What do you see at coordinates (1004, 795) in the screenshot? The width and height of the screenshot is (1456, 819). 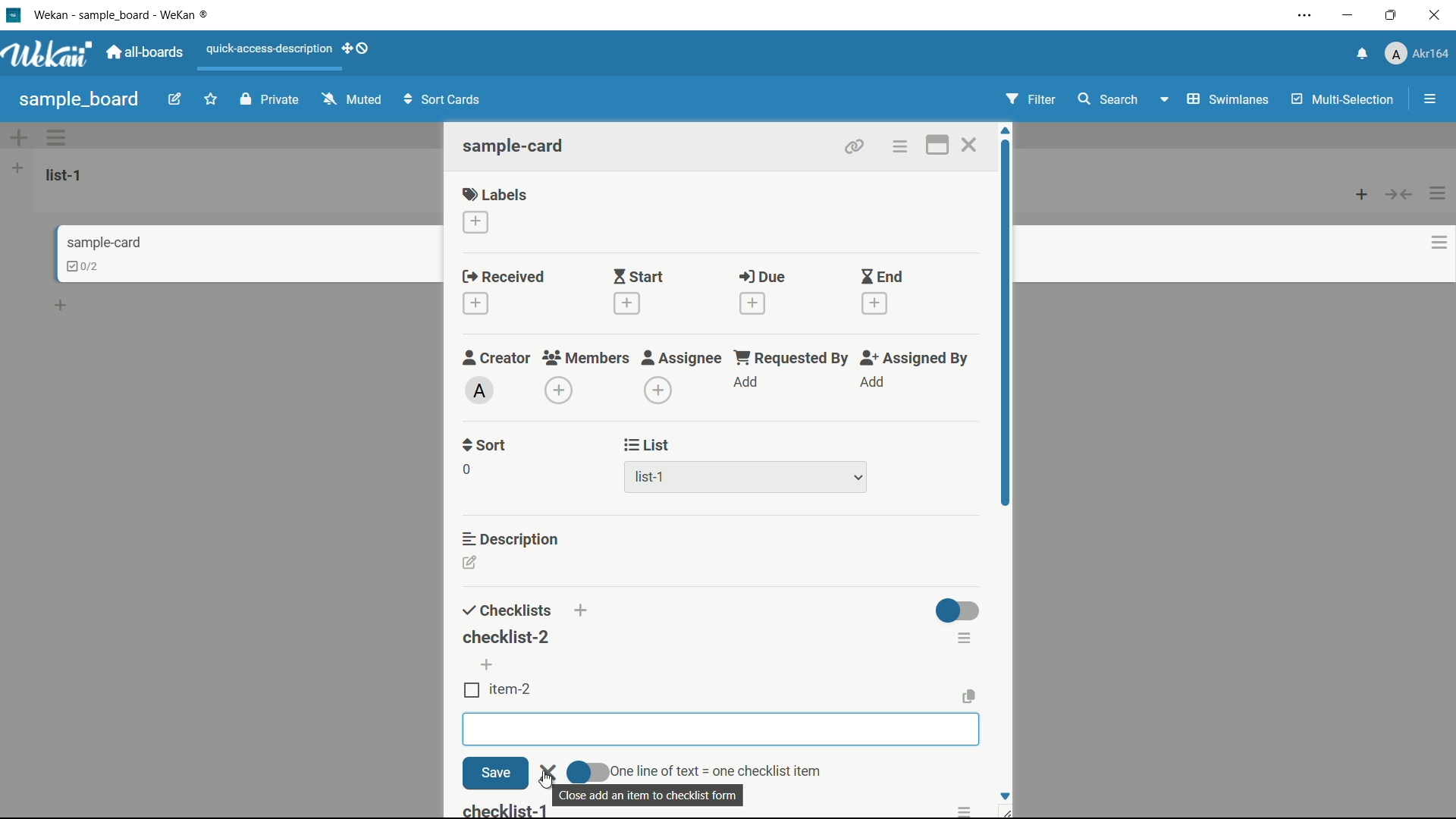 I see `scroll down` at bounding box center [1004, 795].